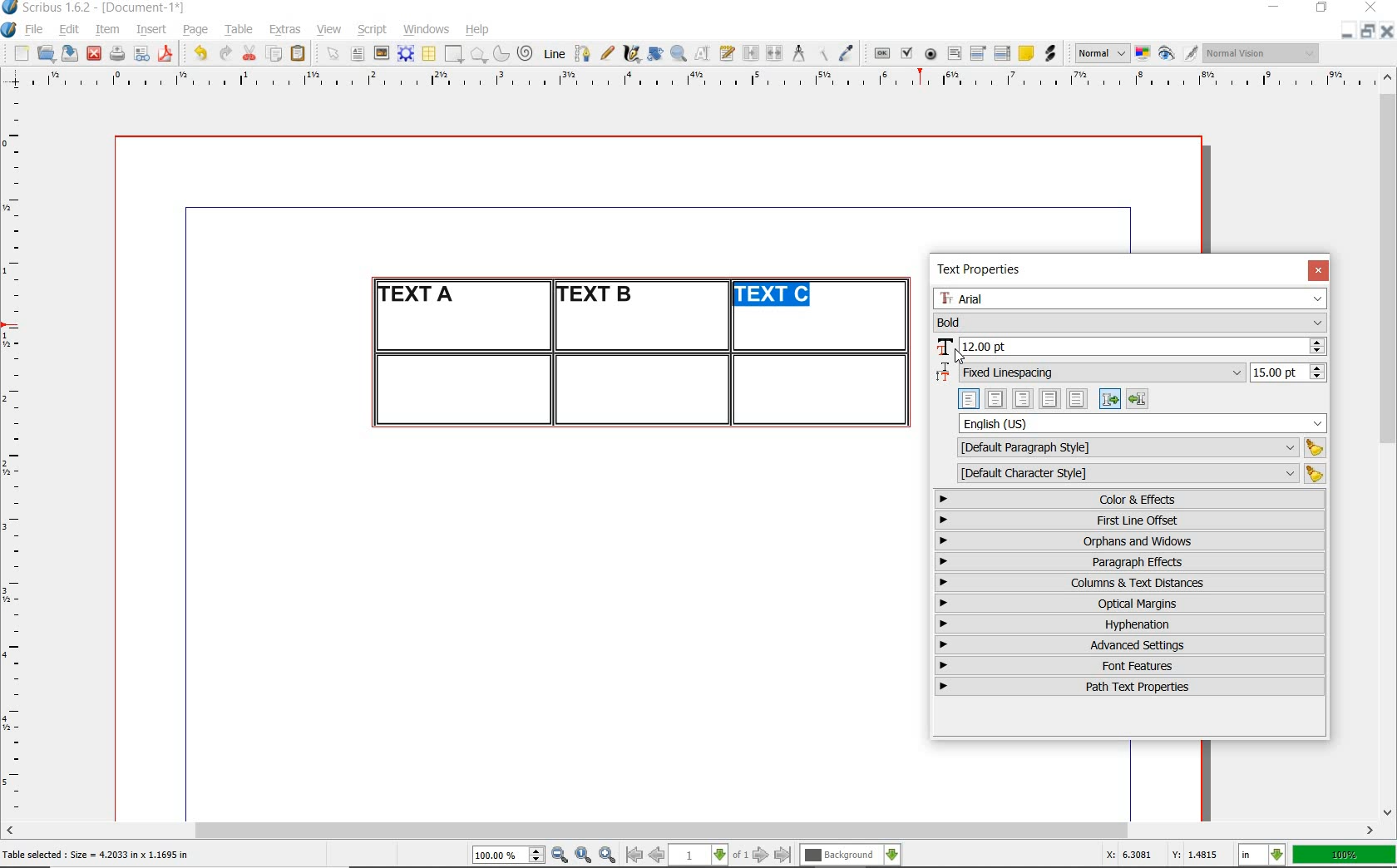 The image size is (1397, 868). Describe the element at coordinates (1144, 55) in the screenshot. I see `toggle color management` at that location.